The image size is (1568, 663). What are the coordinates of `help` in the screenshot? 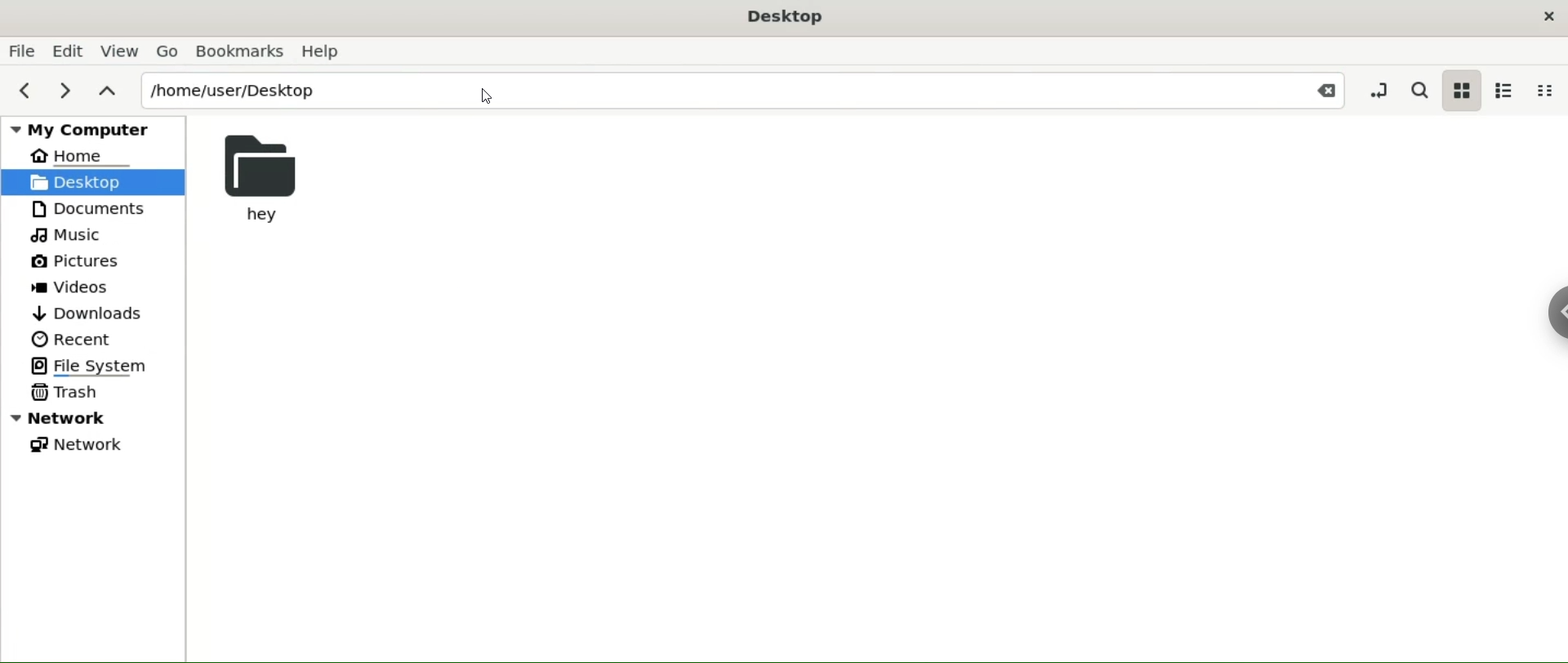 It's located at (323, 51).